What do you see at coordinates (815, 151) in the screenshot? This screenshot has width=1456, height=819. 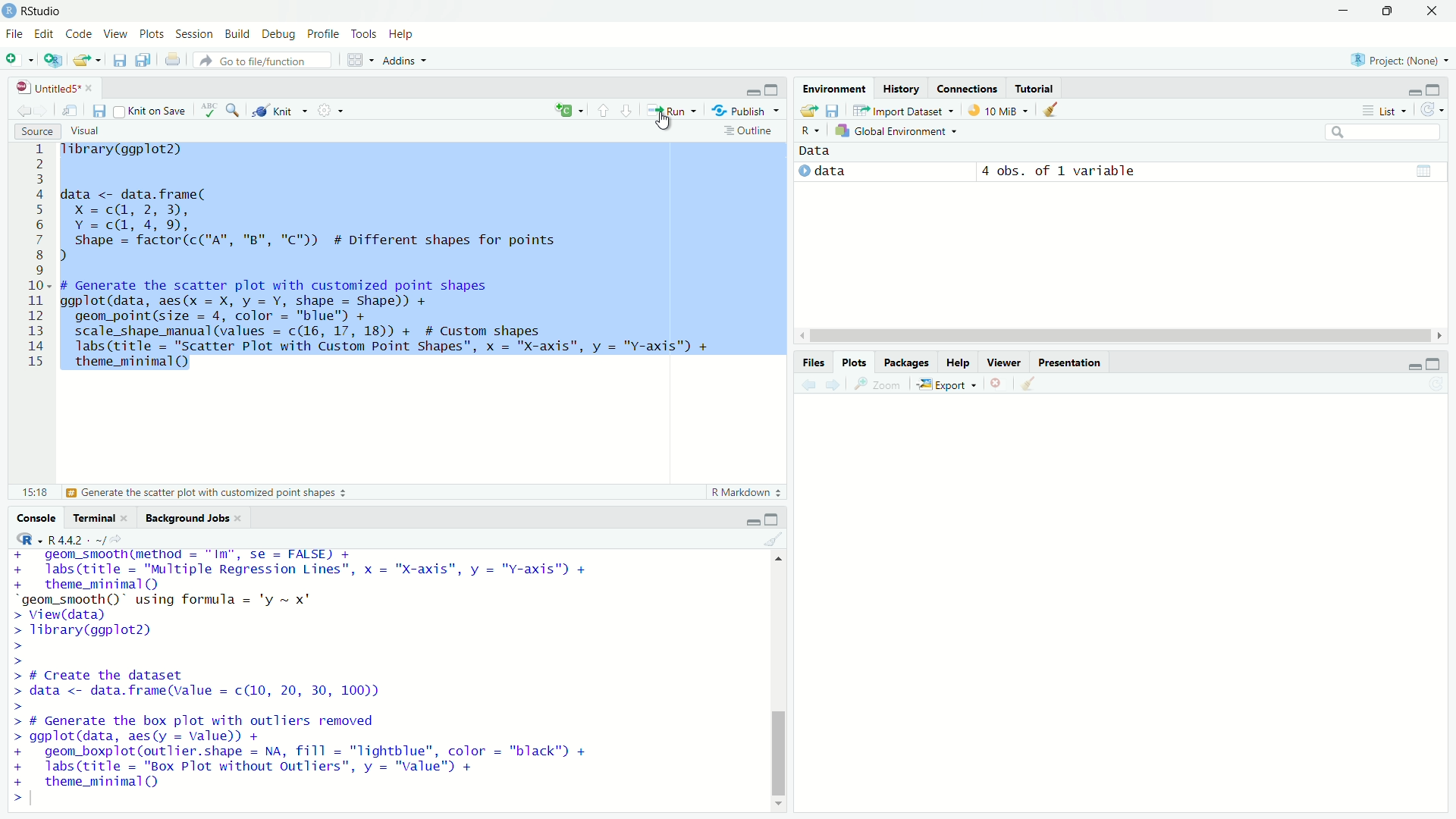 I see `Data` at bounding box center [815, 151].